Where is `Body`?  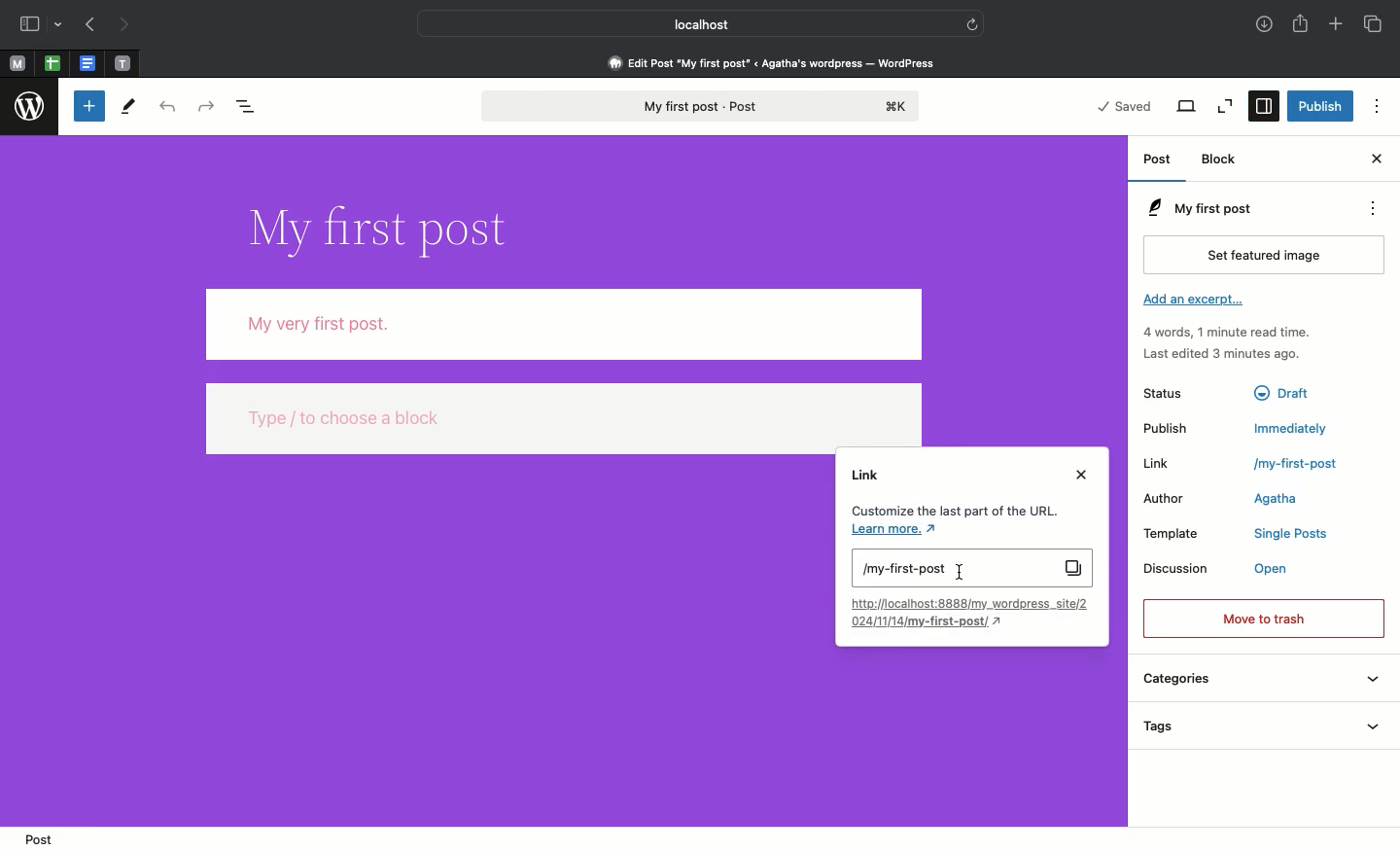
Body is located at coordinates (565, 324).